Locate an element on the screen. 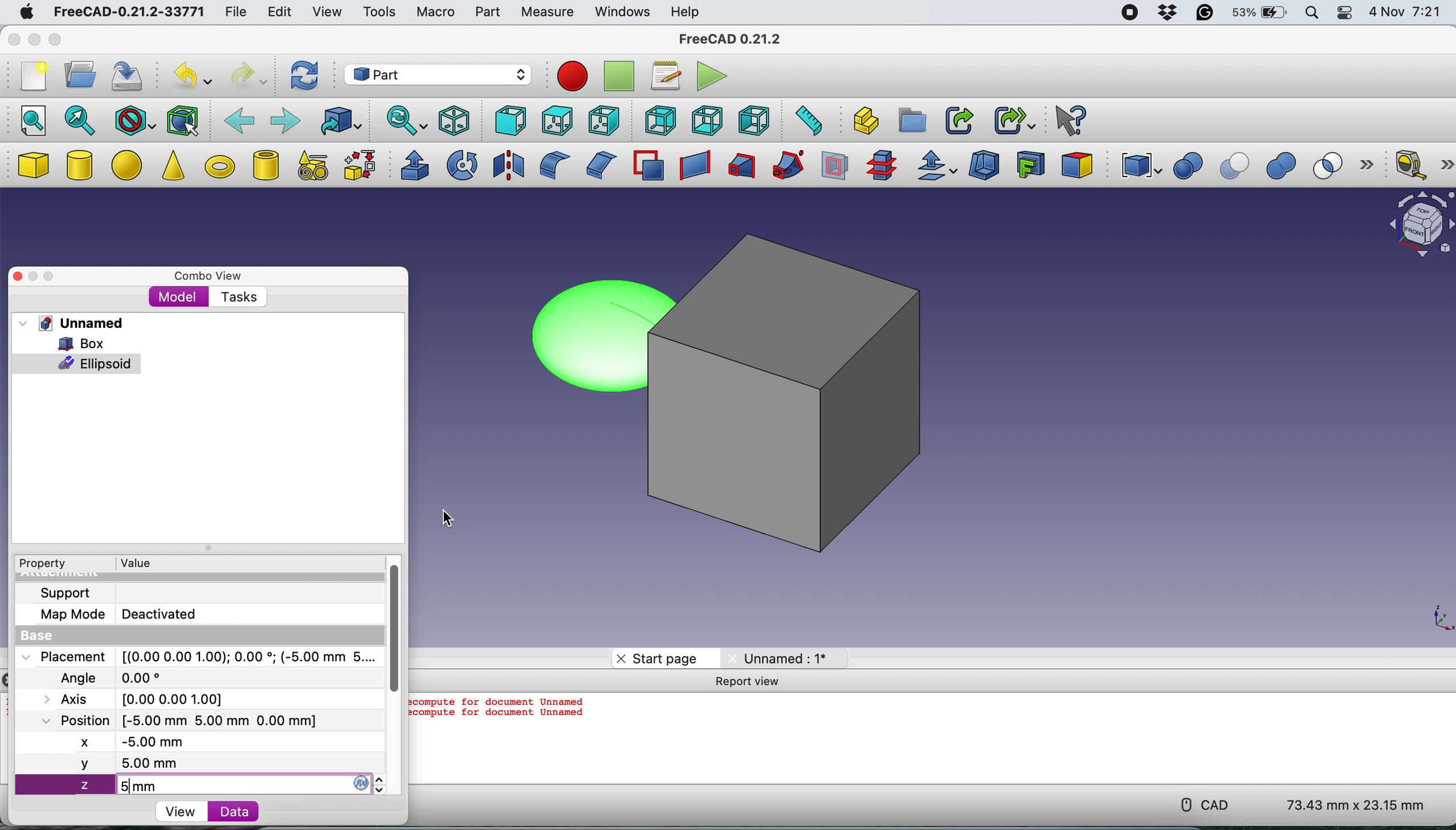 The width and height of the screenshot is (1456, 830). data is located at coordinates (227, 811).